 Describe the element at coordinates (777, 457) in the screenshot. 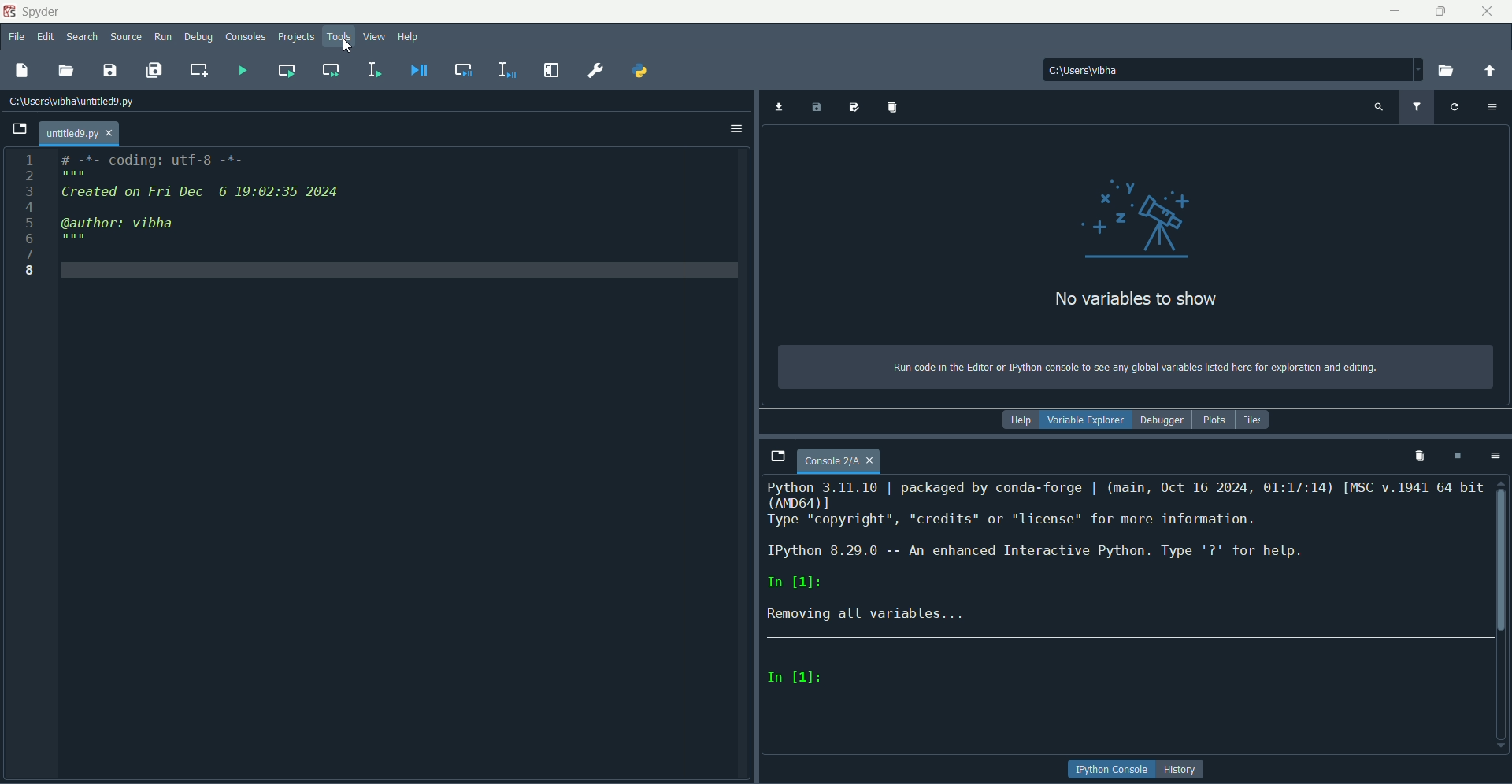

I see `browse tabs` at that location.